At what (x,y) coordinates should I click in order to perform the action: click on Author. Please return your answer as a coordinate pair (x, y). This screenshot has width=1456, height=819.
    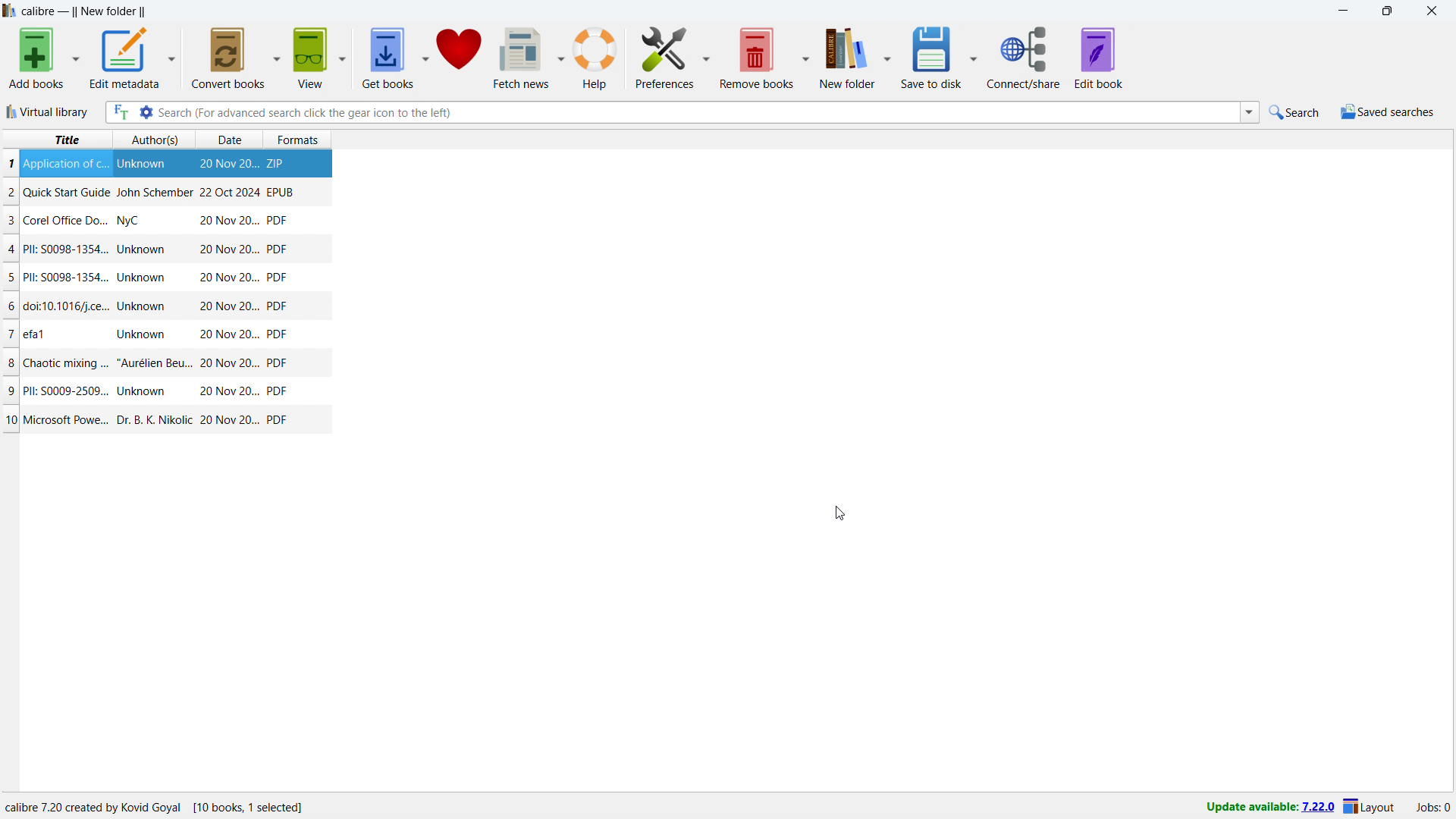
    Looking at the image, I should click on (131, 222).